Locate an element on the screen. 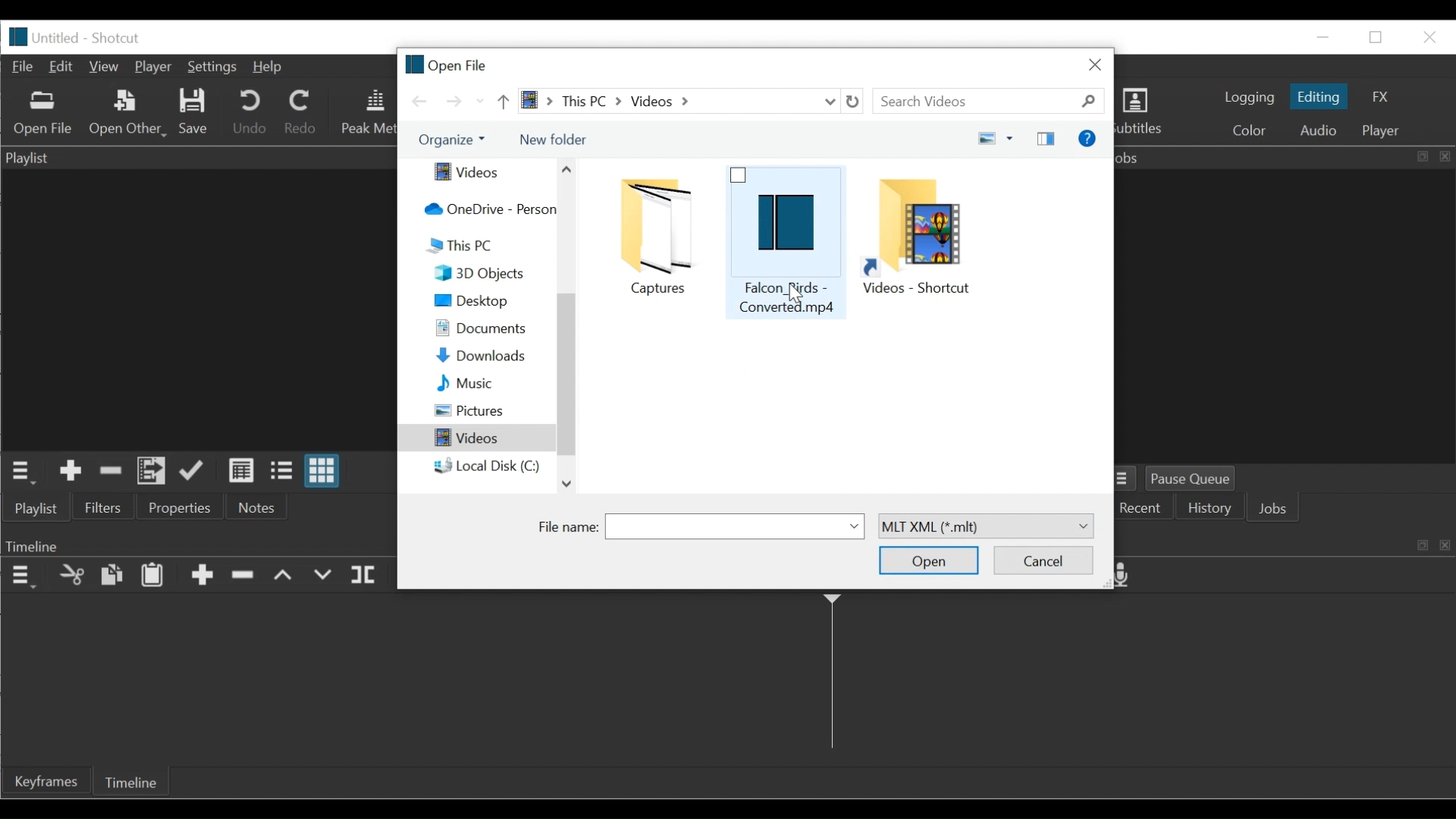 The image size is (1456, 819). Timeline is located at coordinates (130, 781).